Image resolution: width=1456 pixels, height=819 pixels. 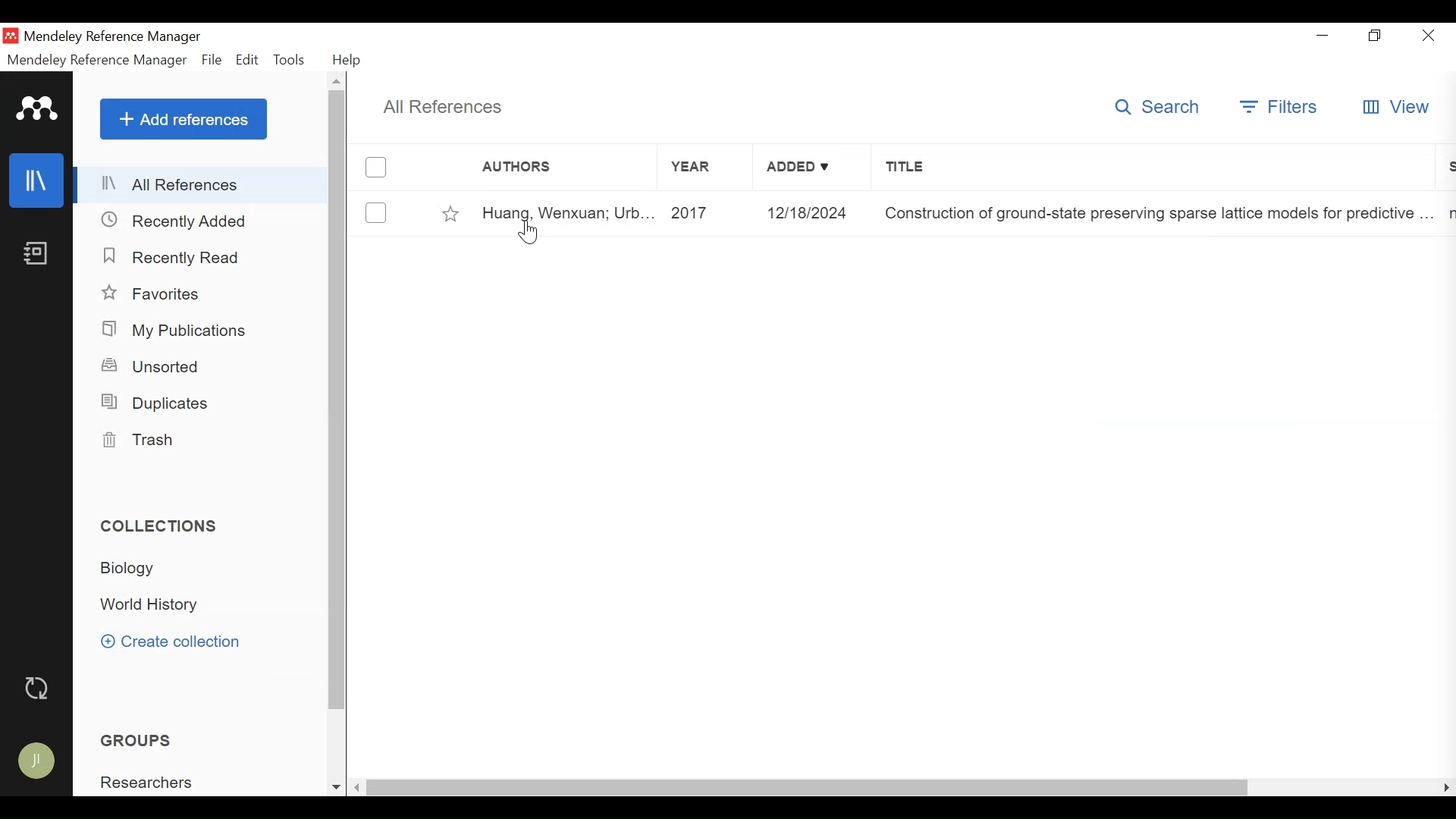 What do you see at coordinates (566, 165) in the screenshot?
I see `Author` at bounding box center [566, 165].